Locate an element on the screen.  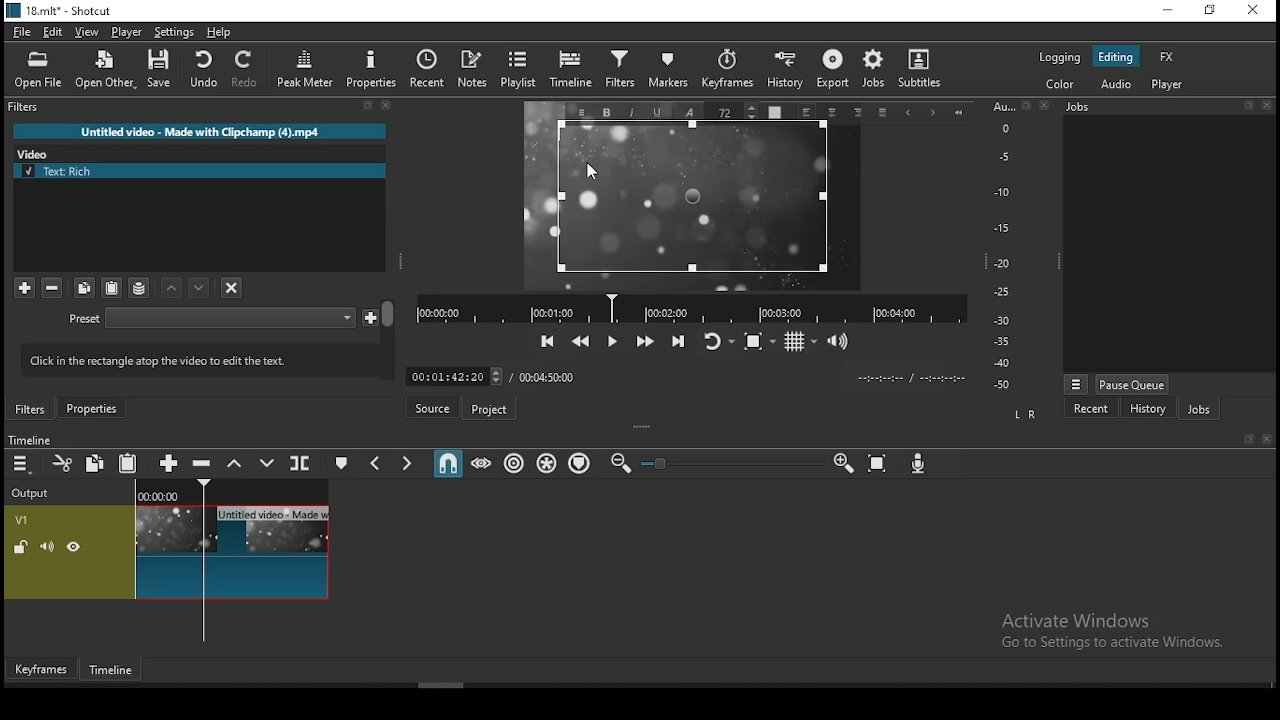
audio is located at coordinates (1115, 85).